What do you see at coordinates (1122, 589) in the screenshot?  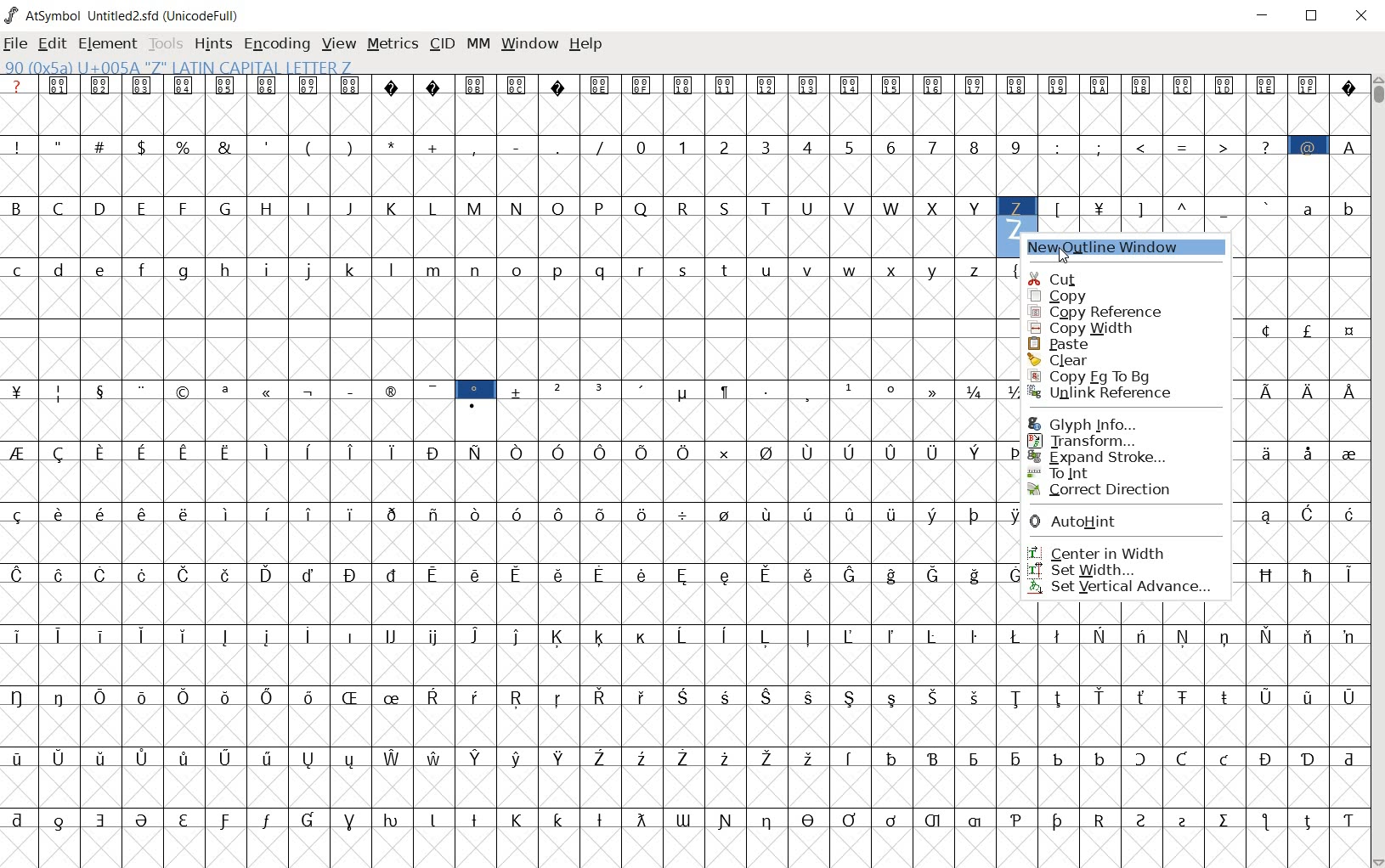 I see `set vertical advance` at bounding box center [1122, 589].